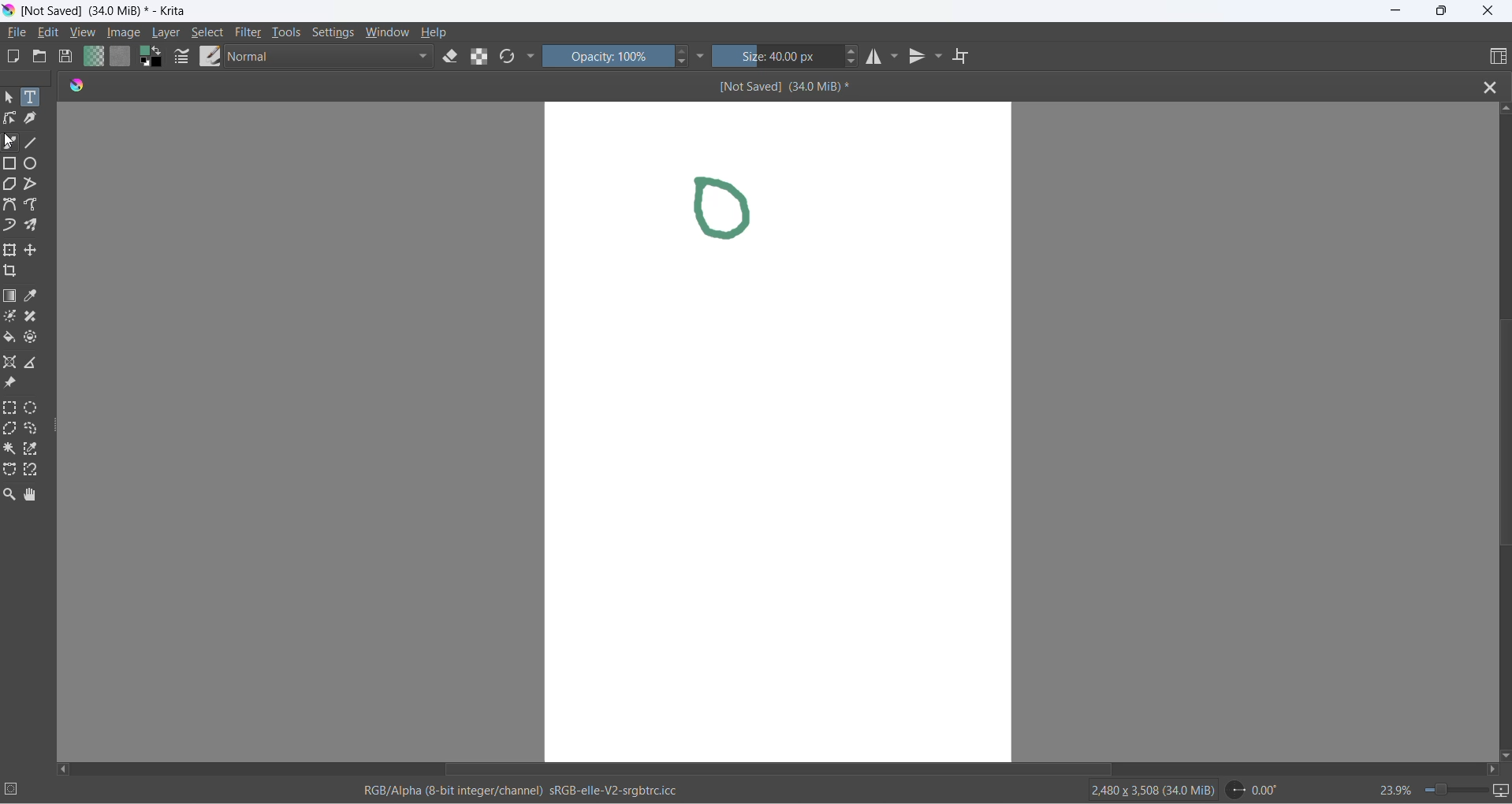 The width and height of the screenshot is (1512, 804). What do you see at coordinates (1386, 788) in the screenshot?
I see `zoom percentage` at bounding box center [1386, 788].